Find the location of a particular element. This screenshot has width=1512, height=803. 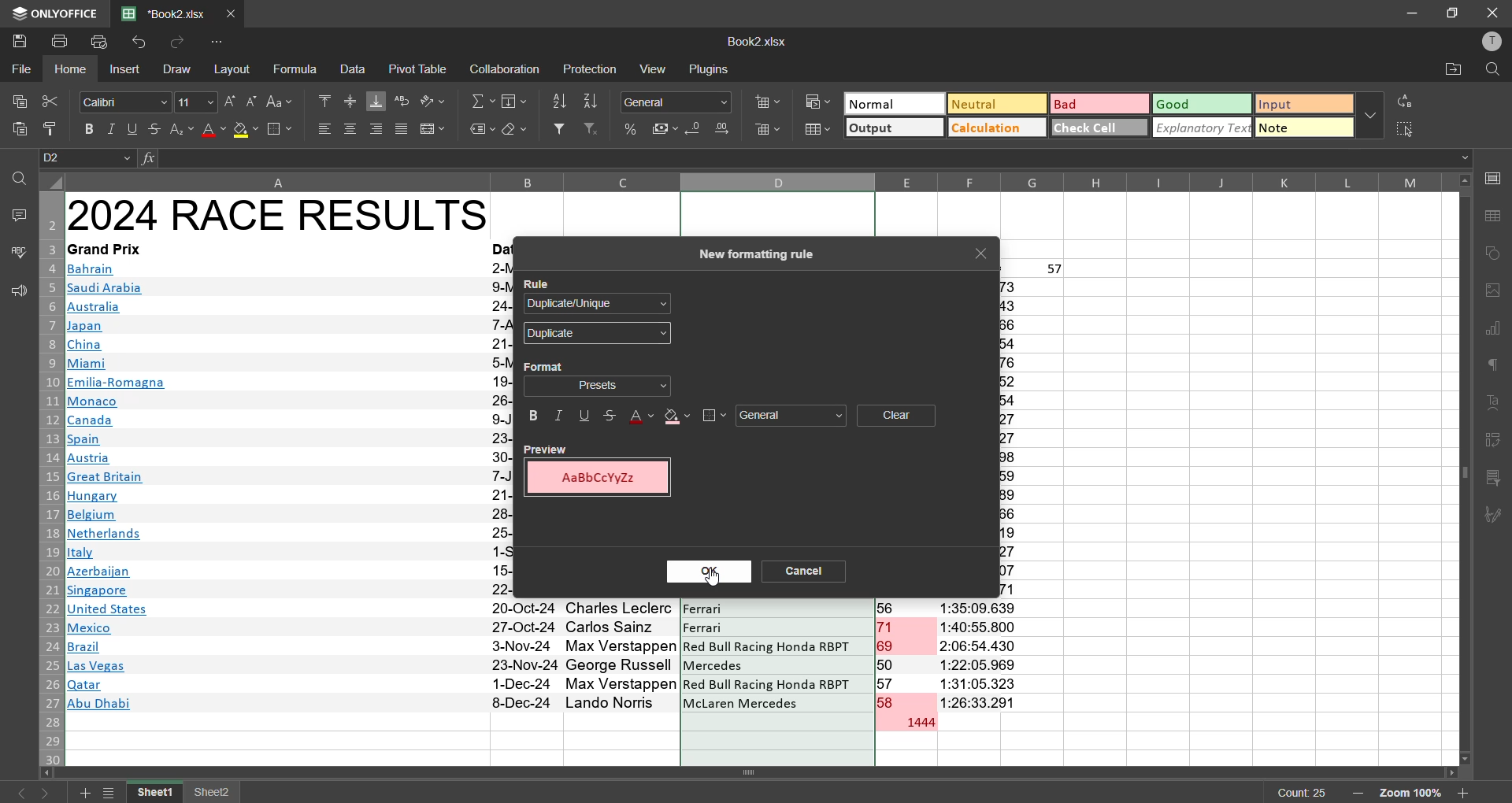

filename is located at coordinates (756, 40).